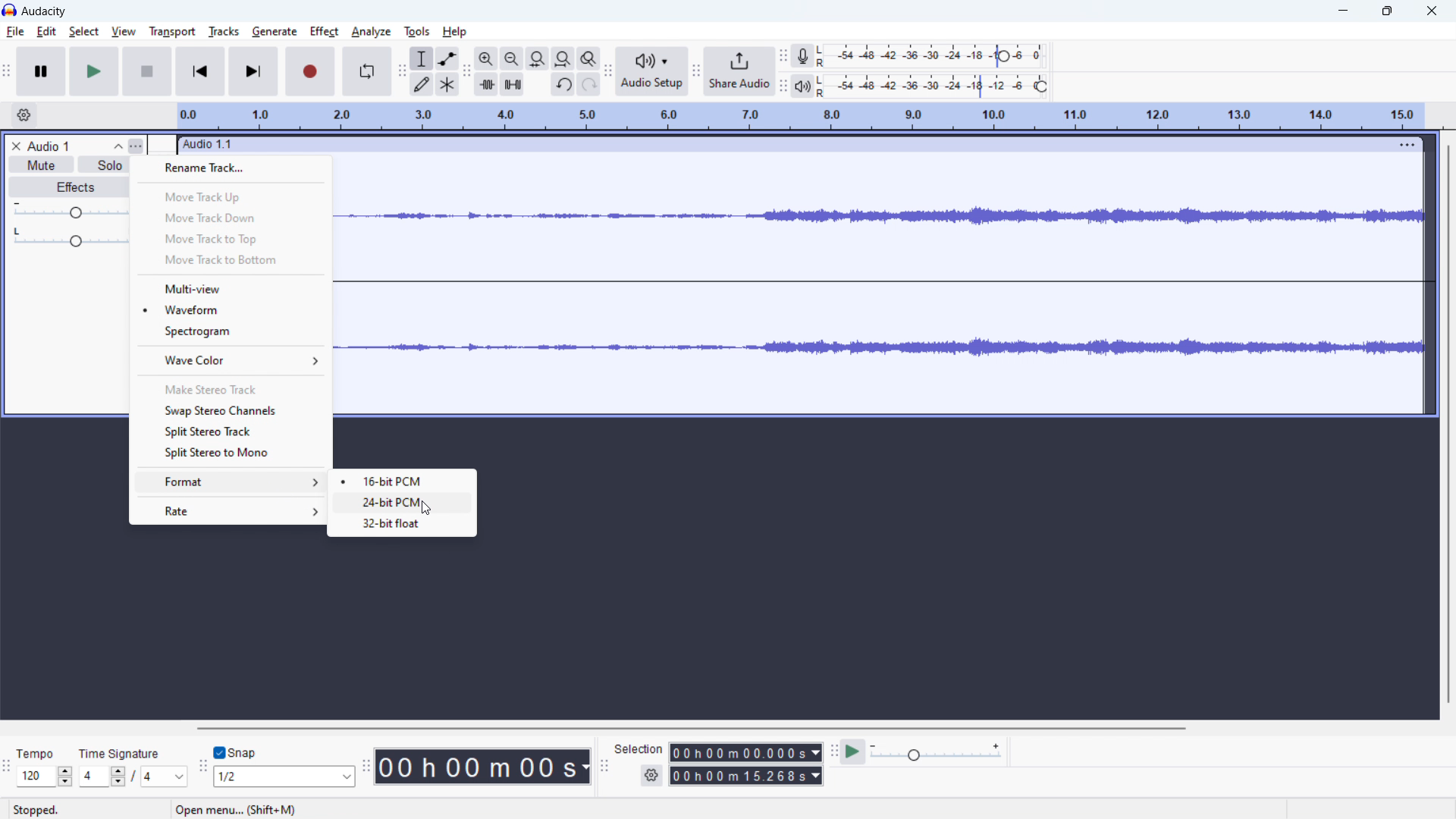 The image size is (1456, 819). I want to click on snapping toolbar, so click(202, 767).